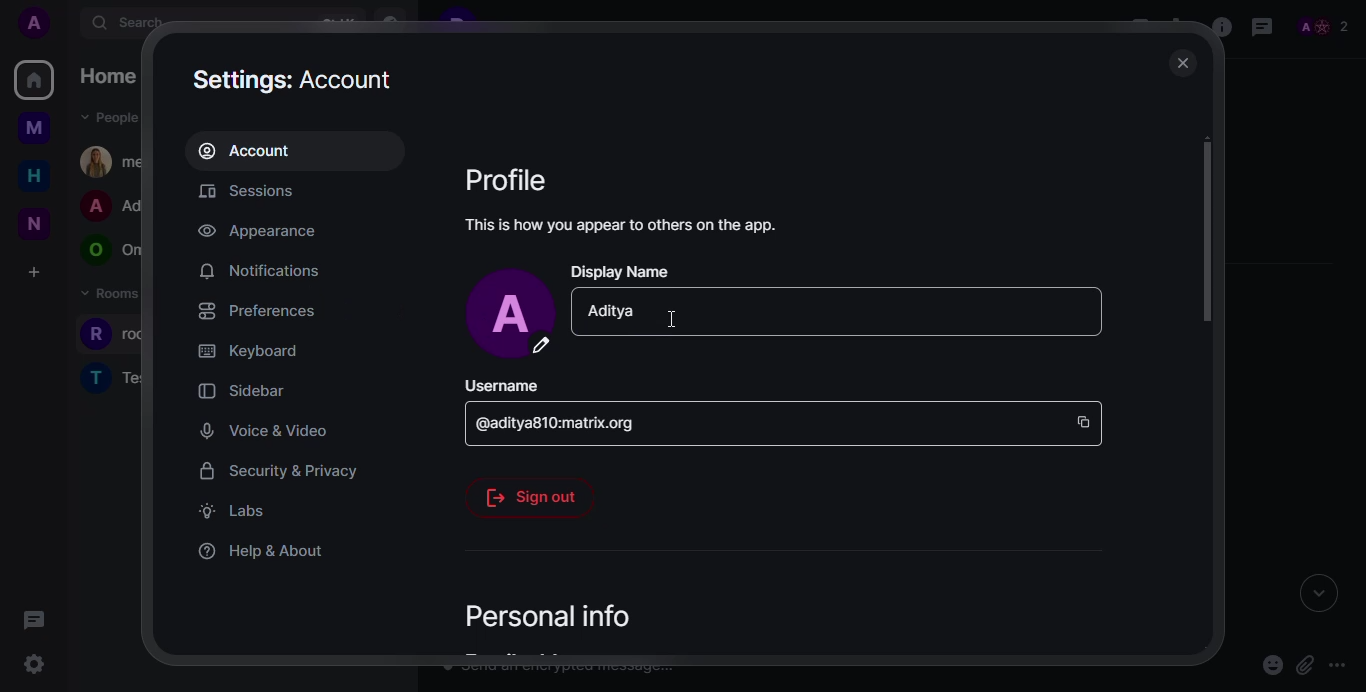  What do you see at coordinates (32, 176) in the screenshot?
I see `home` at bounding box center [32, 176].